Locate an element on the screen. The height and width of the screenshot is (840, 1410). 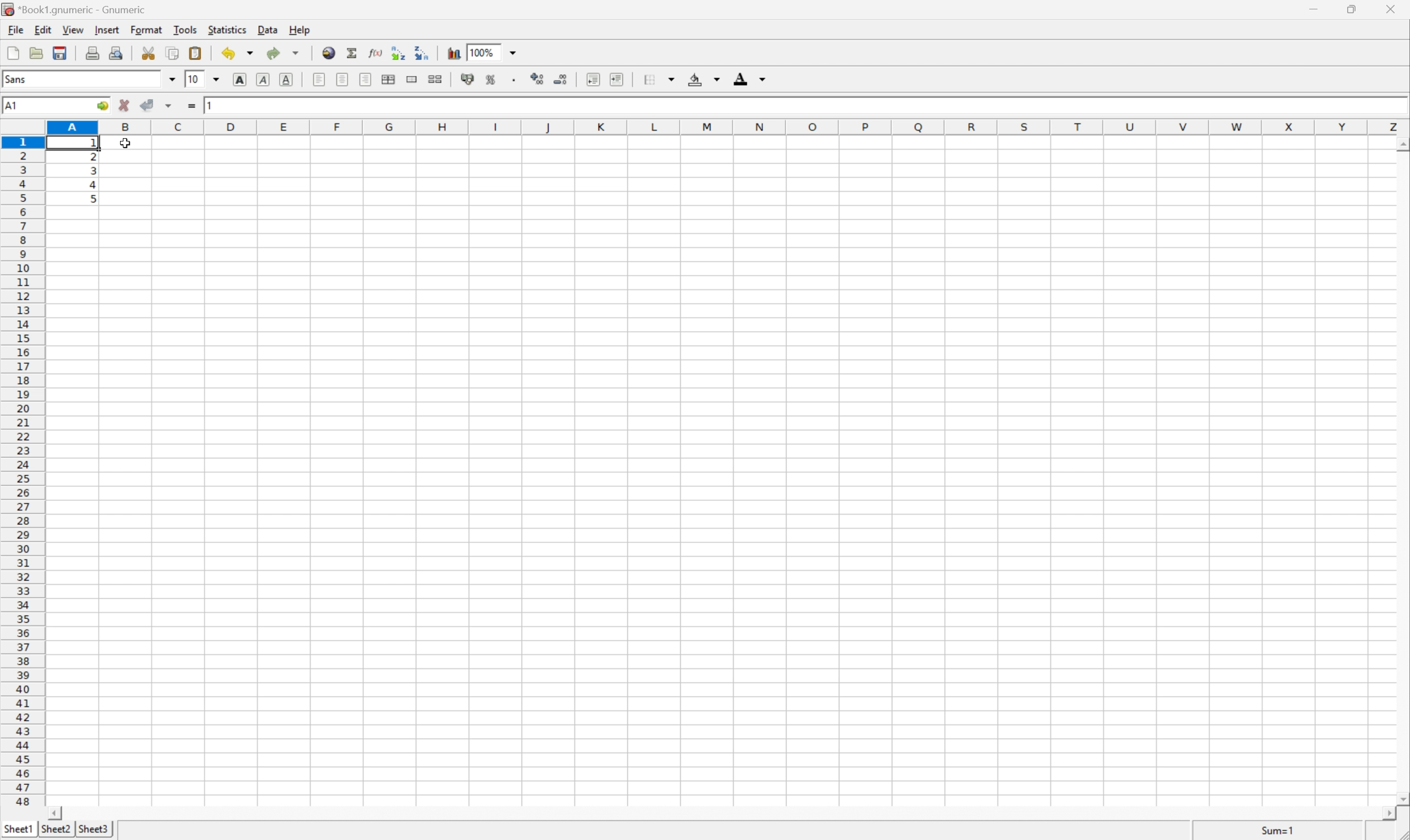
Sum=1 is located at coordinates (1279, 832).